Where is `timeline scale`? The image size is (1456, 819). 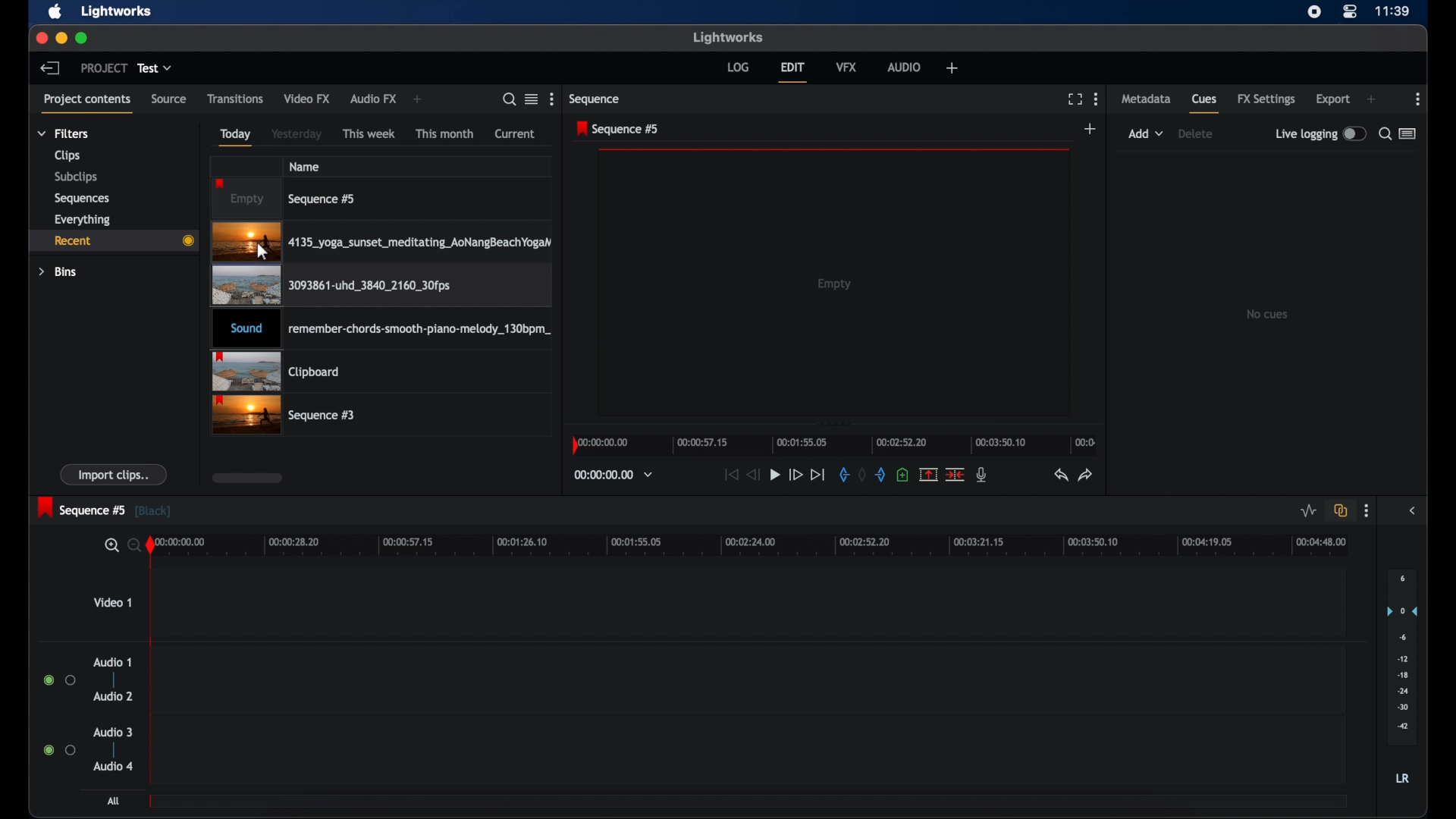
timeline scale is located at coordinates (833, 444).